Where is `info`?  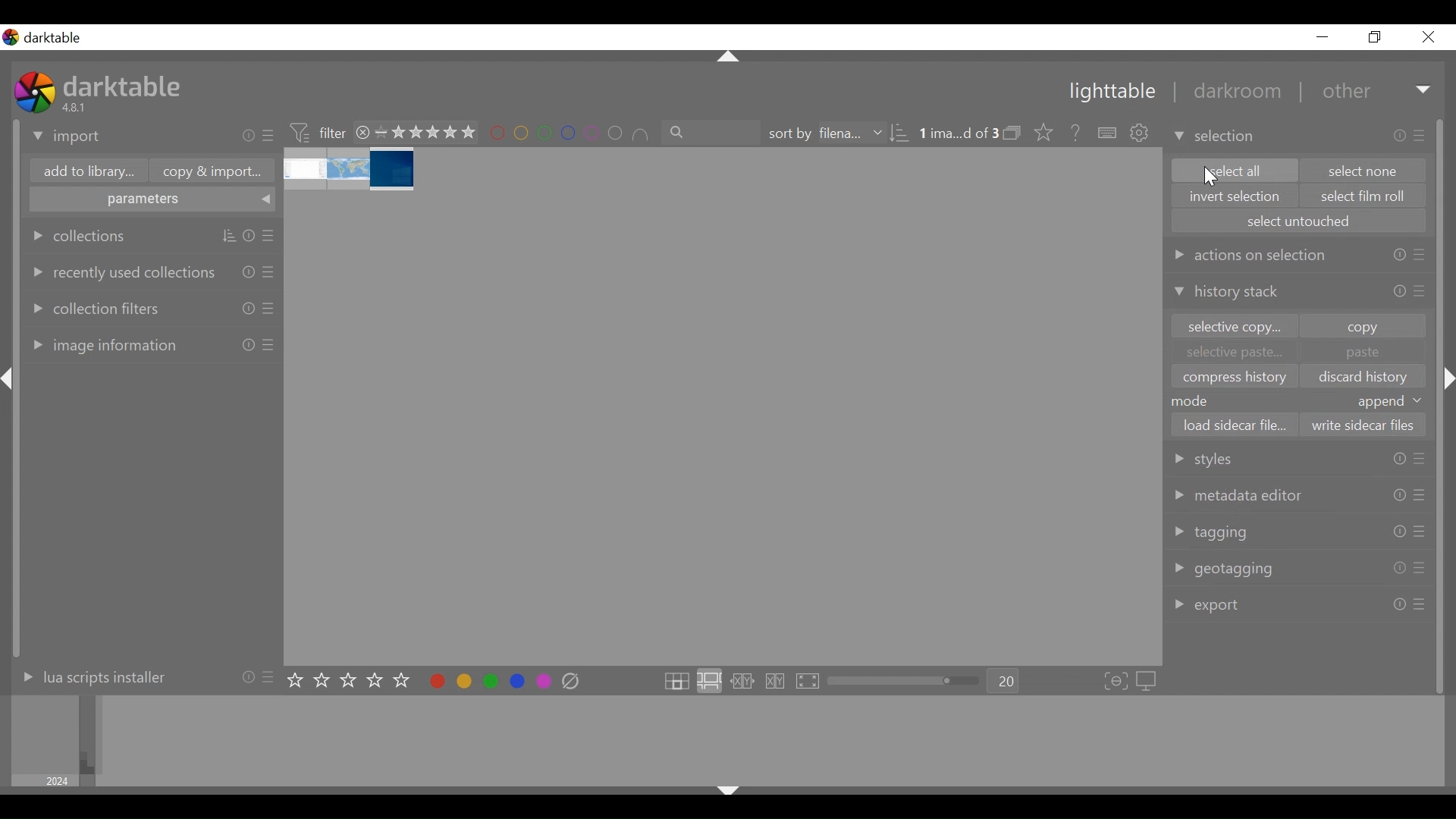 info is located at coordinates (249, 136).